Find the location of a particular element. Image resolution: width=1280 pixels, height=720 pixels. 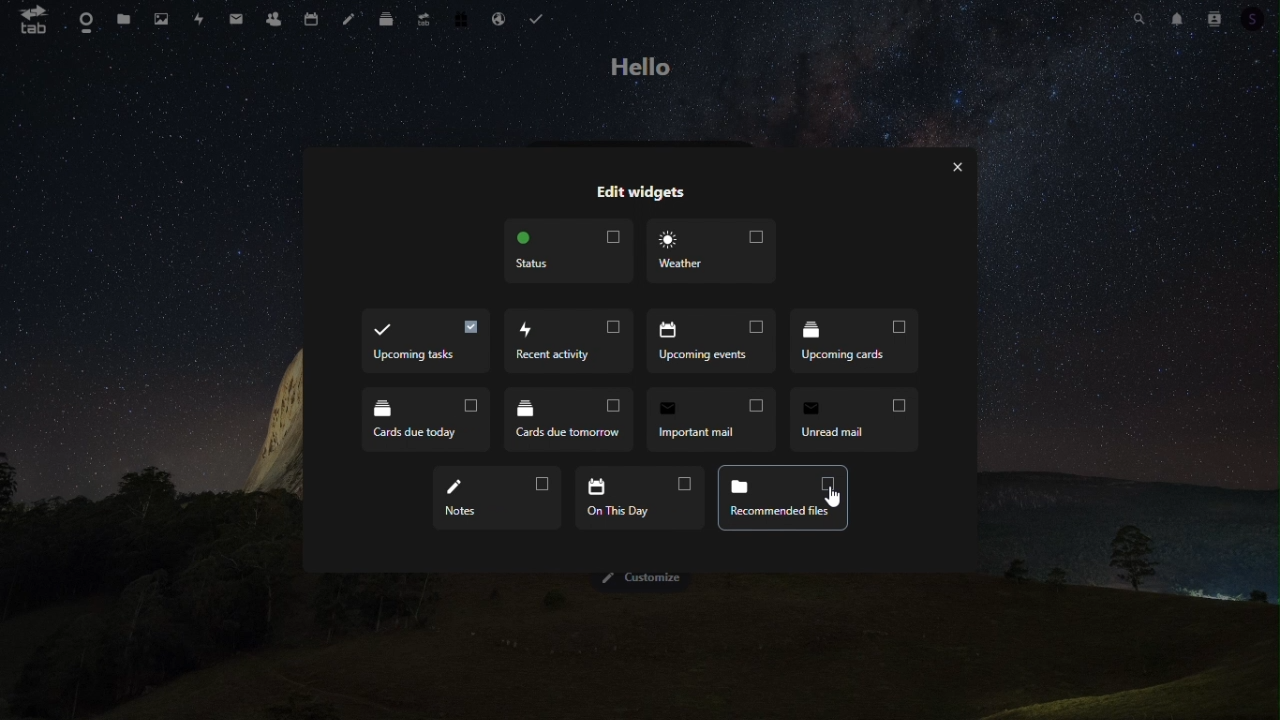

tab is located at coordinates (31, 24).